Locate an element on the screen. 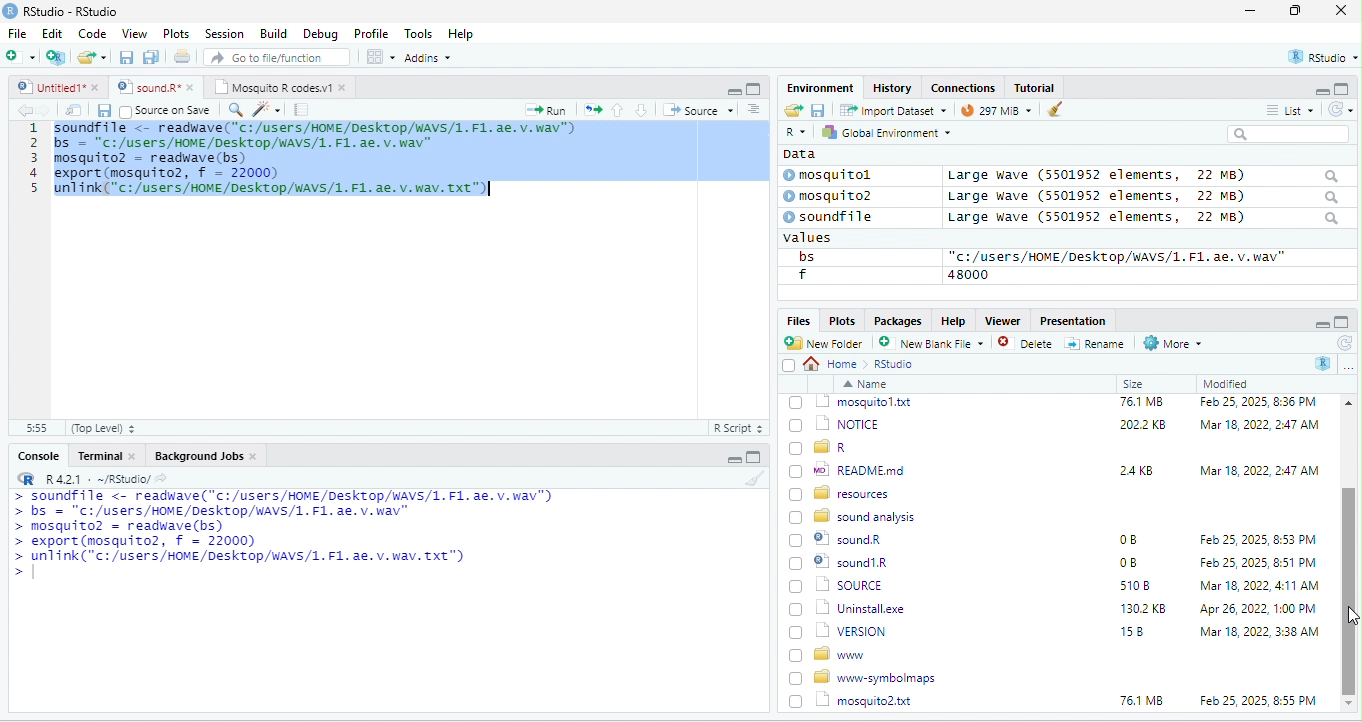  Plots is located at coordinates (842, 320).